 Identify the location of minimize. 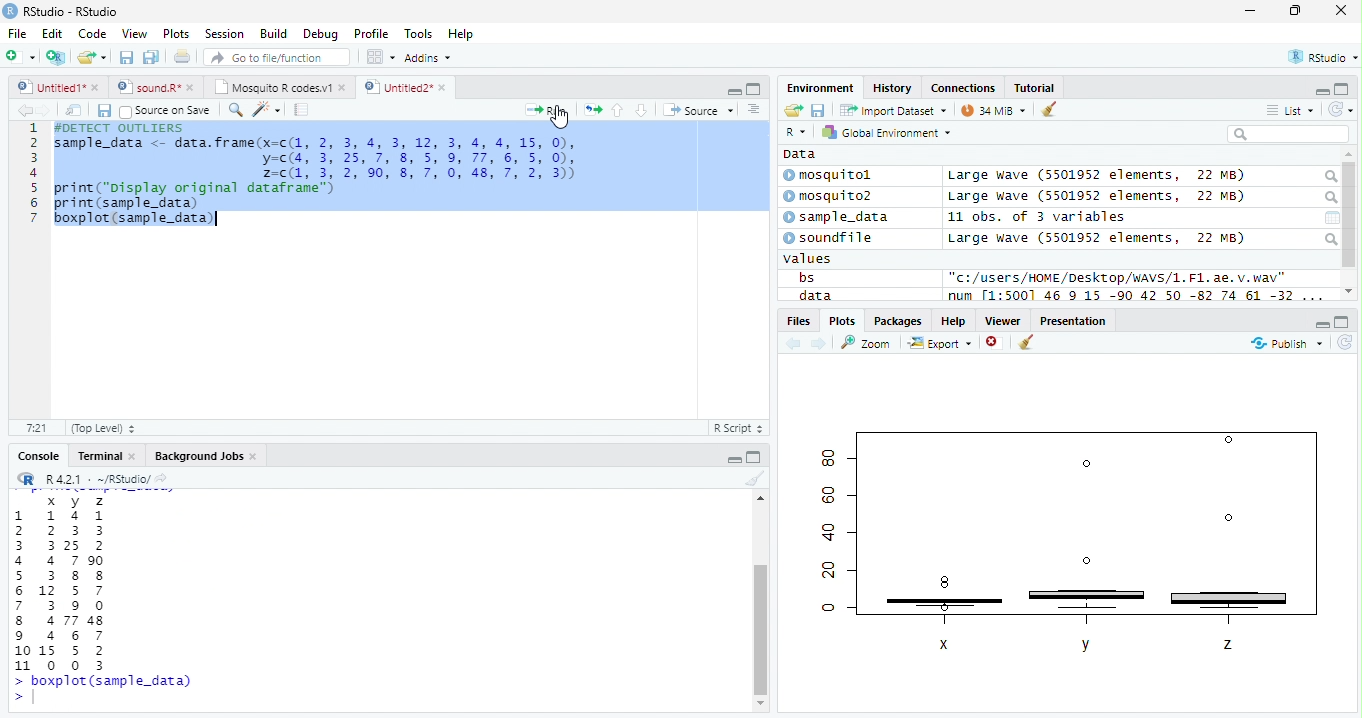
(1252, 10).